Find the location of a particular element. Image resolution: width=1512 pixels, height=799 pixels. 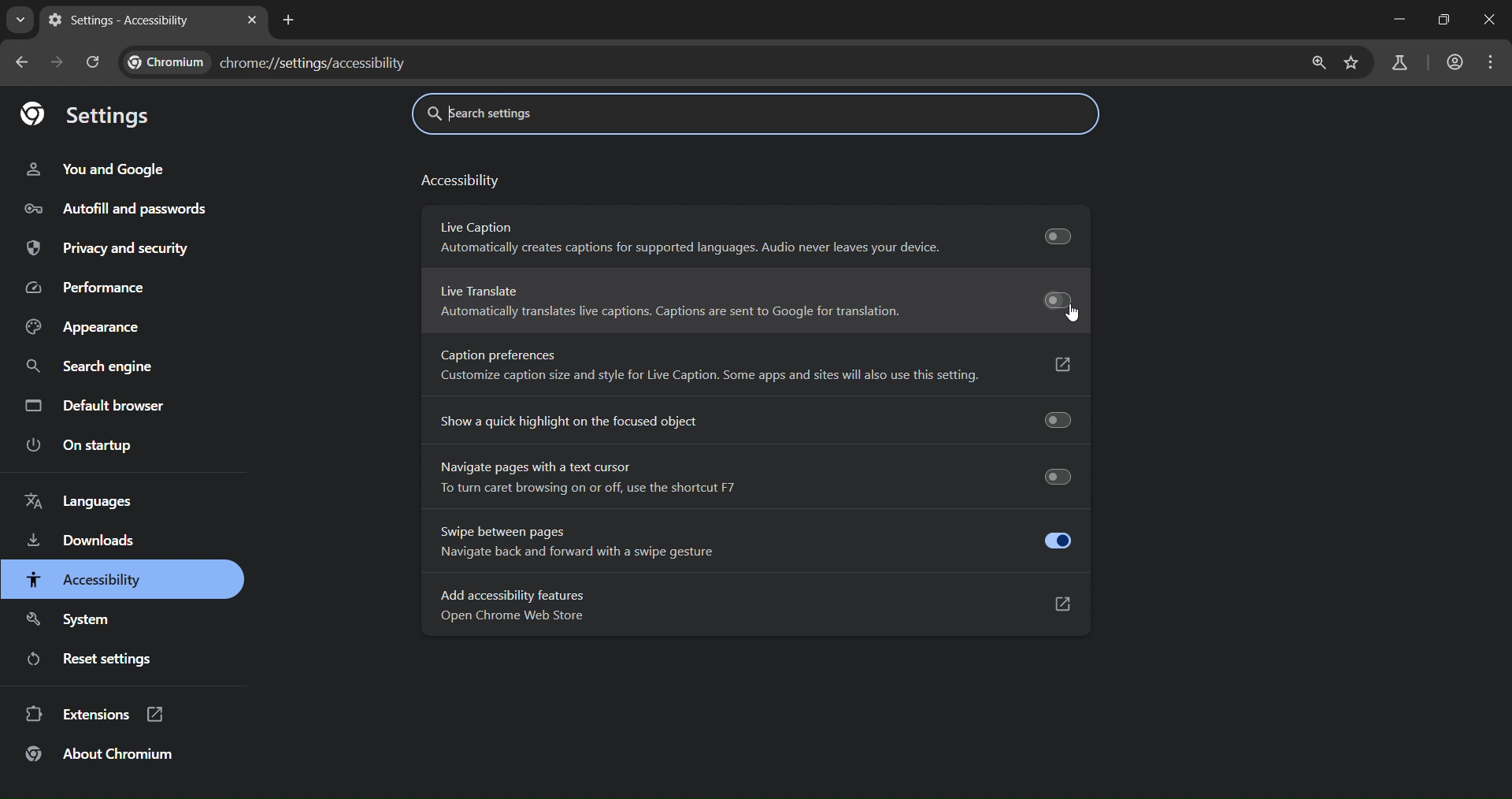

downloads is located at coordinates (83, 543).